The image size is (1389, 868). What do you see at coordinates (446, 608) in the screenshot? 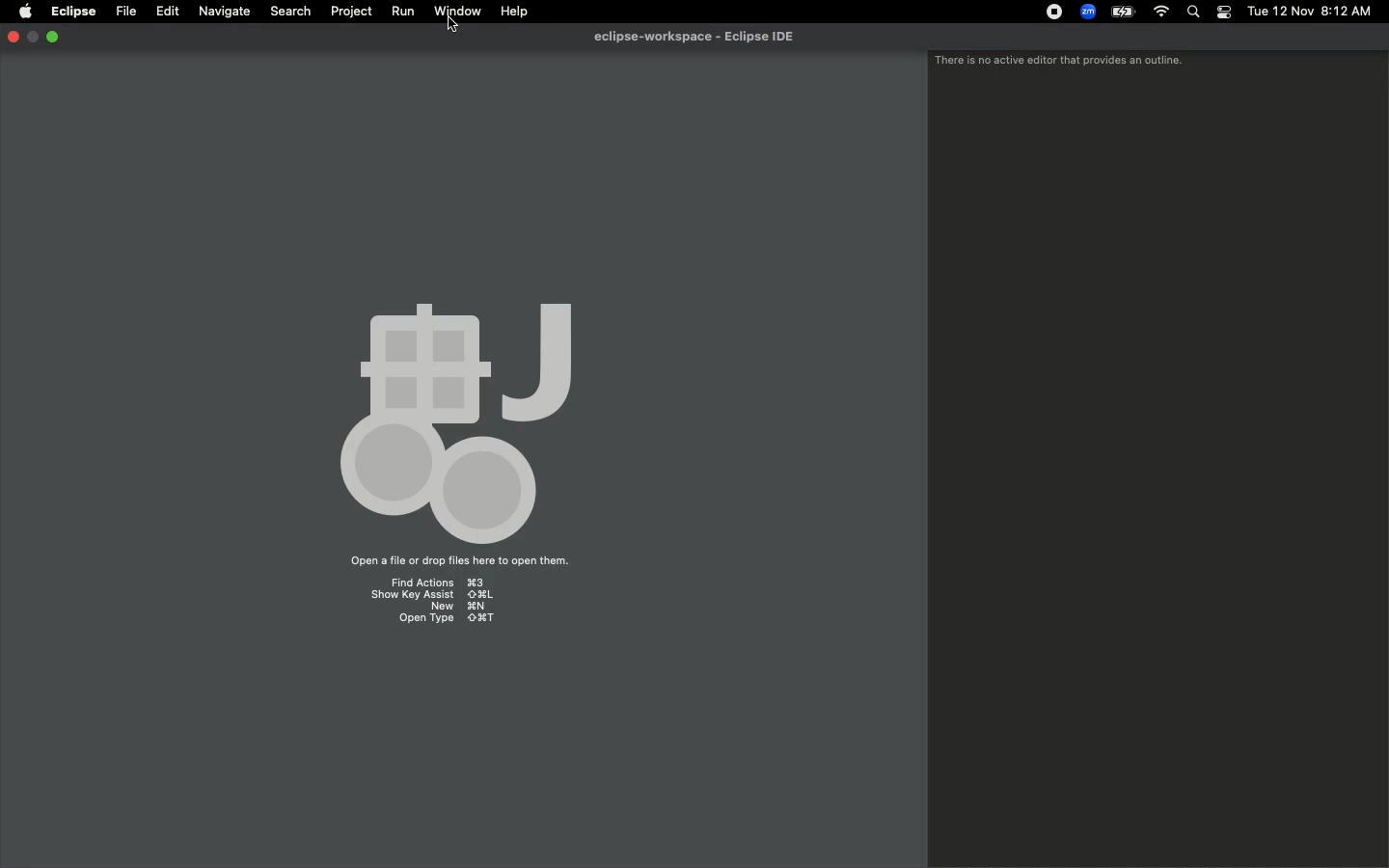
I see `New` at bounding box center [446, 608].